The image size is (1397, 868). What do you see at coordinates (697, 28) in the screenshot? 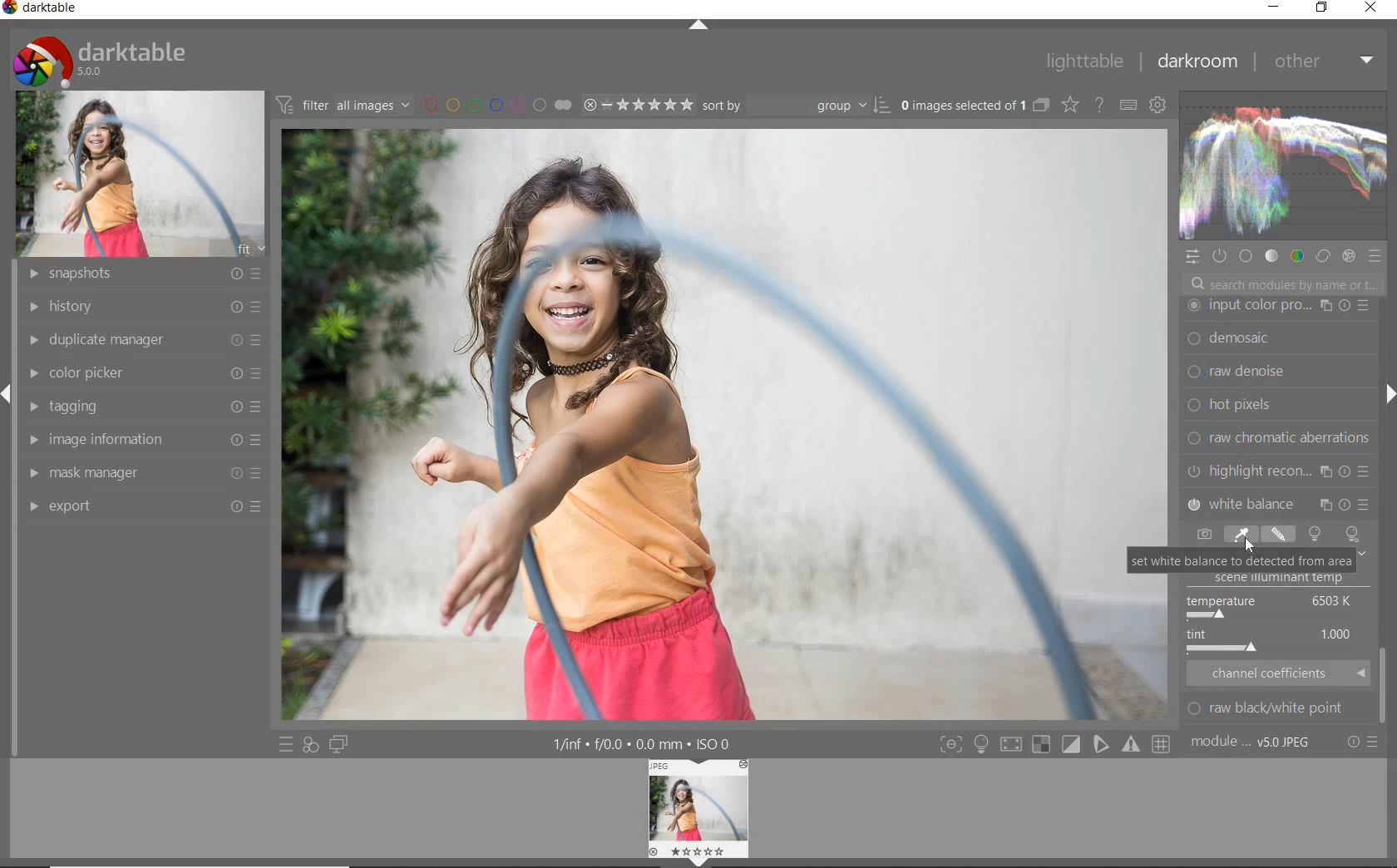
I see `expand / collapse` at bounding box center [697, 28].